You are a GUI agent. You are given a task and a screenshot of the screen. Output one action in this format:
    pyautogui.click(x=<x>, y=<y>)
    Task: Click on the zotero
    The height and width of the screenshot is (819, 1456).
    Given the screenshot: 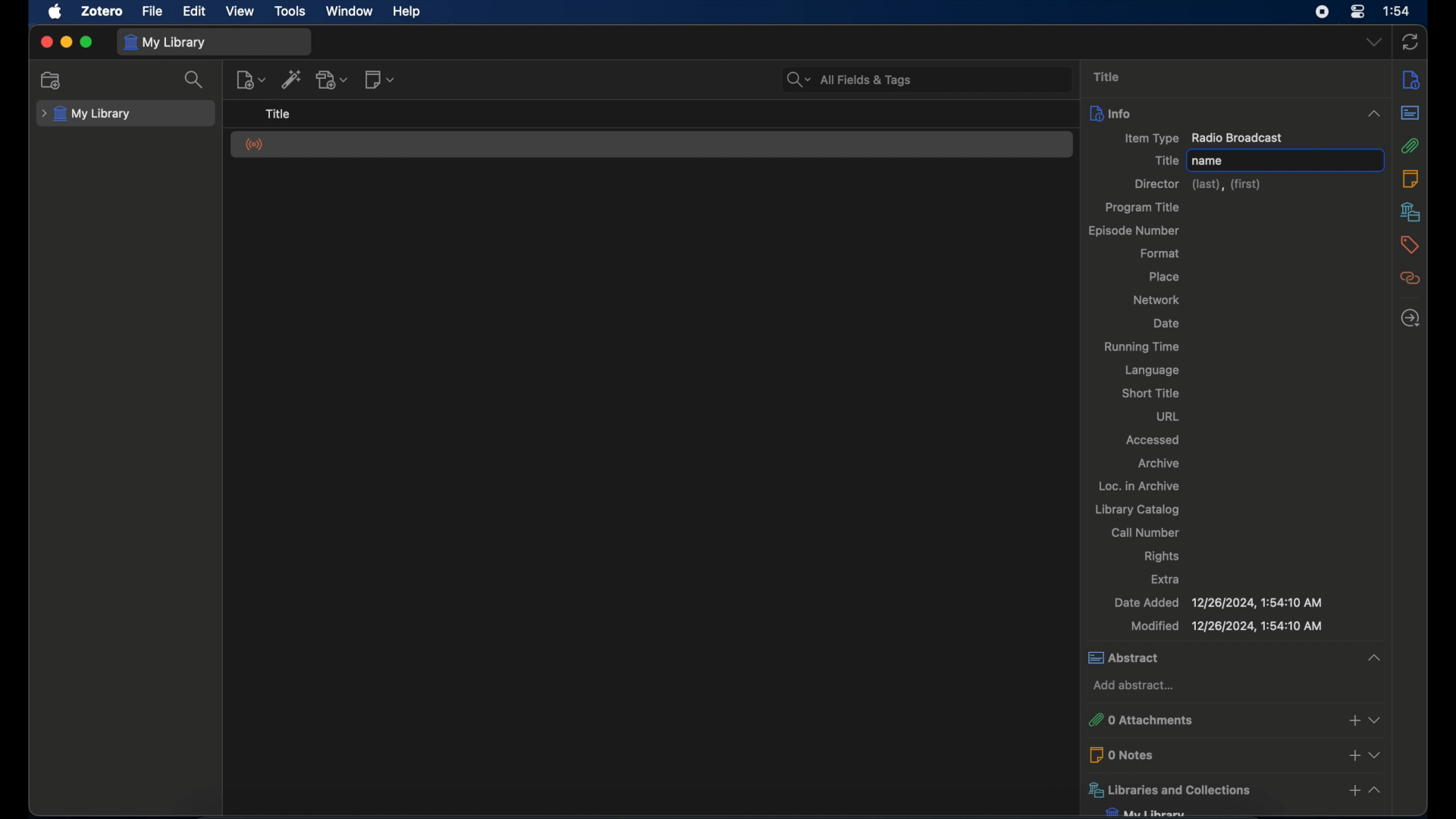 What is the action you would take?
    pyautogui.click(x=102, y=11)
    